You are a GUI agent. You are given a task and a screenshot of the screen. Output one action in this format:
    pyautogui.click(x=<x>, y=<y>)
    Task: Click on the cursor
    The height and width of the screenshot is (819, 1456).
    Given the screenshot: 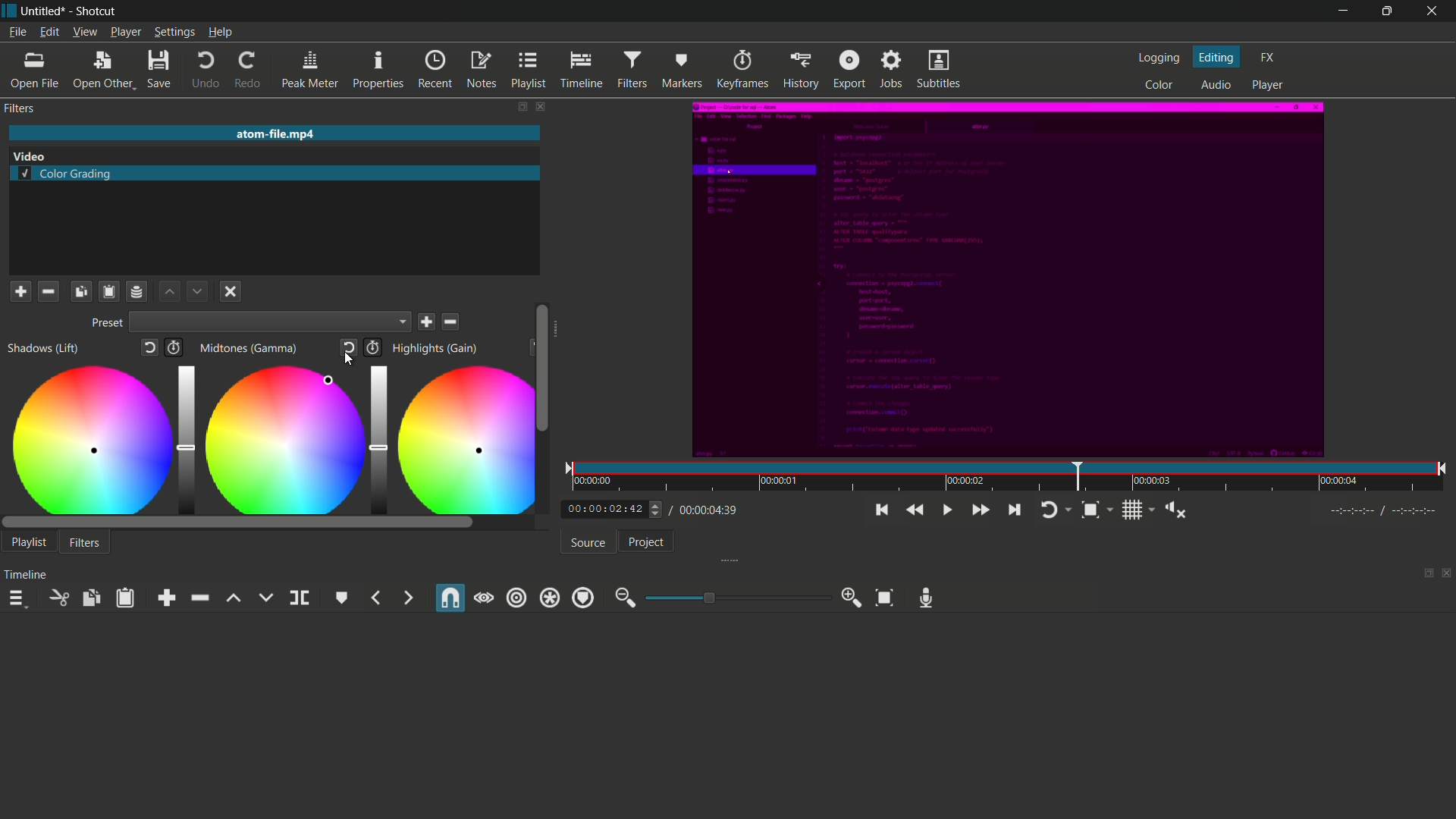 What is the action you would take?
    pyautogui.click(x=347, y=361)
    